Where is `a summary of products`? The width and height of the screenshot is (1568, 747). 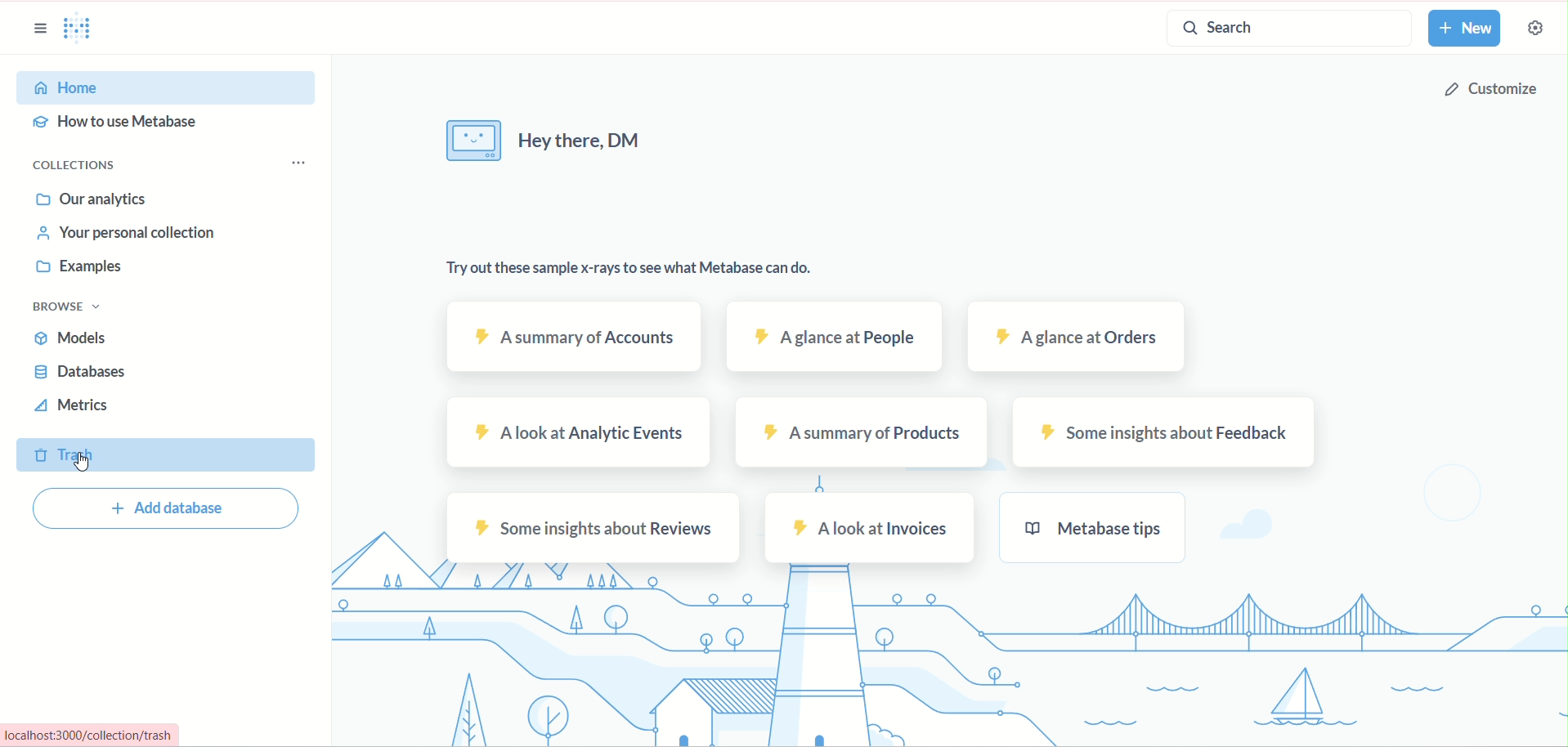 a summary of products is located at coordinates (863, 432).